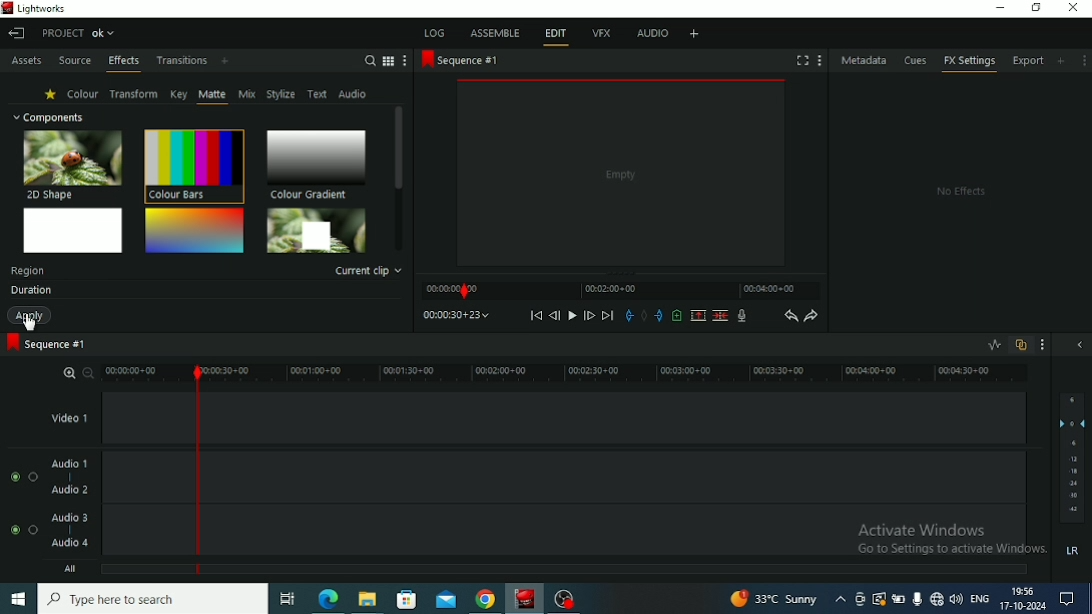 The height and width of the screenshot is (614, 1092). I want to click on File preview, so click(621, 173).